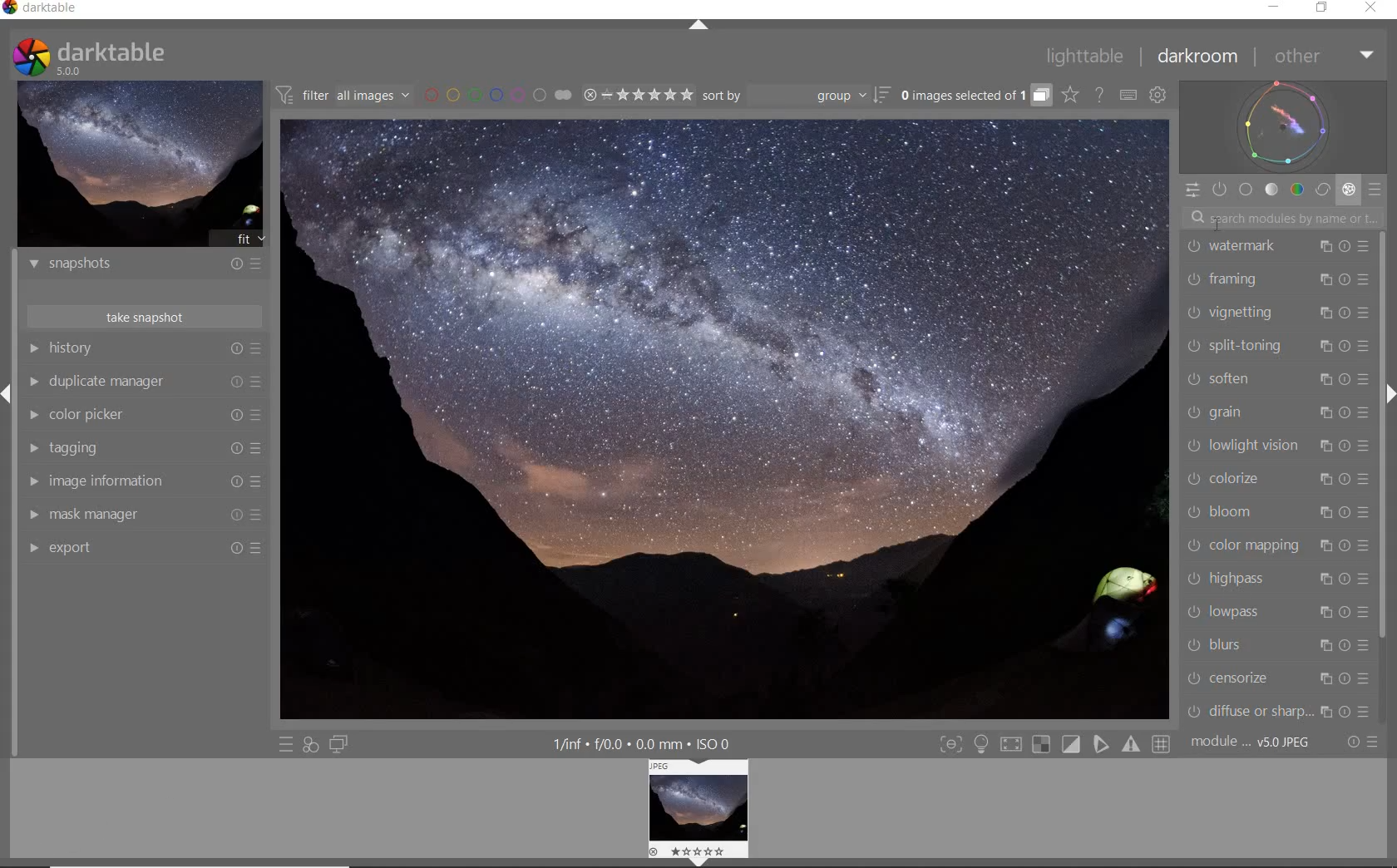 The image size is (1397, 868). What do you see at coordinates (1346, 578) in the screenshot?
I see `reset reset parameters` at bounding box center [1346, 578].